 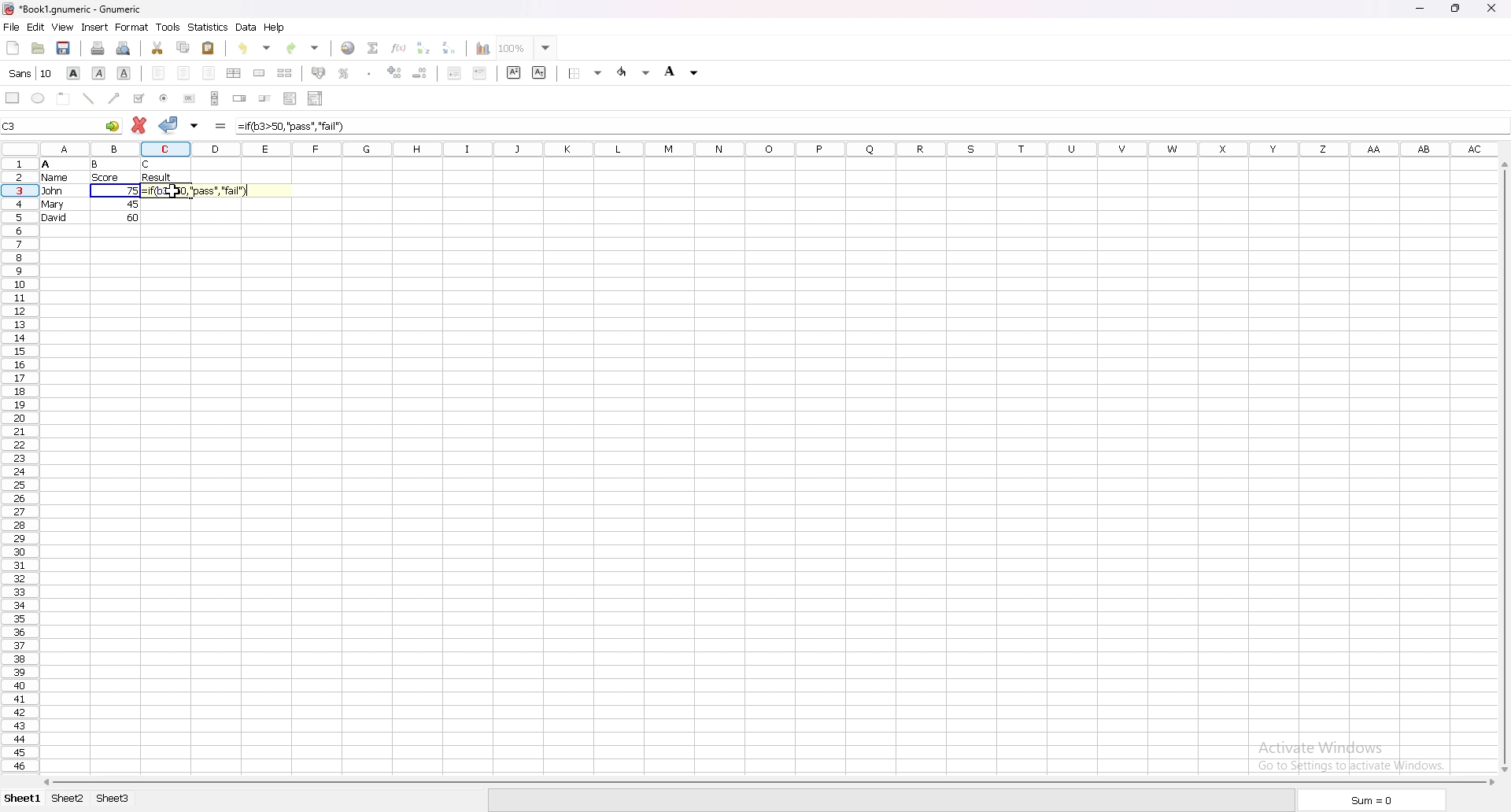 What do you see at coordinates (35, 28) in the screenshot?
I see `edit` at bounding box center [35, 28].